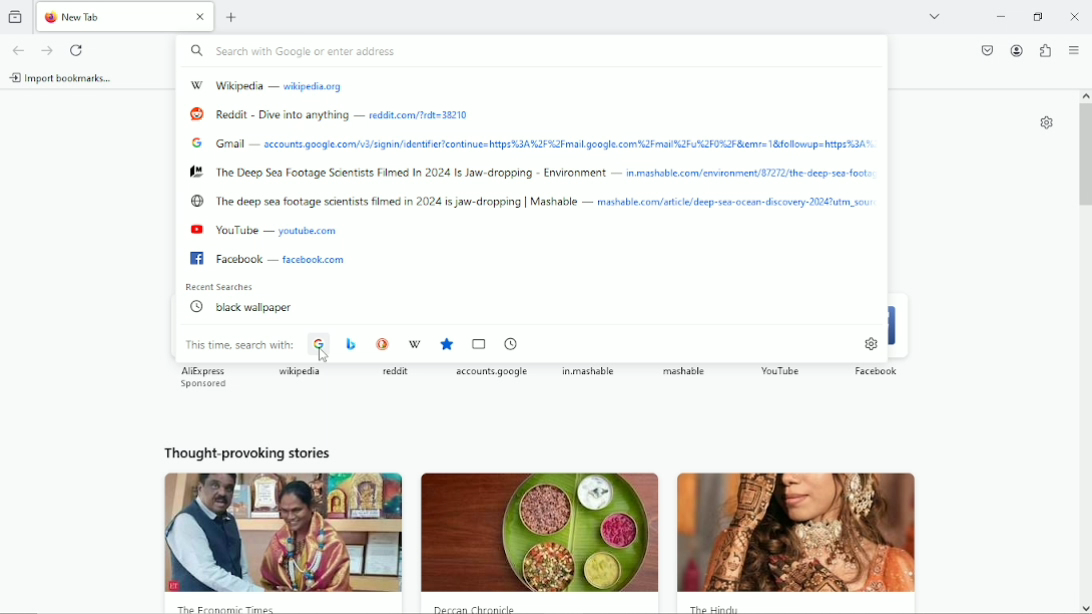  What do you see at coordinates (423, 116) in the screenshot?
I see `reddit.com/?rdt-38210` at bounding box center [423, 116].